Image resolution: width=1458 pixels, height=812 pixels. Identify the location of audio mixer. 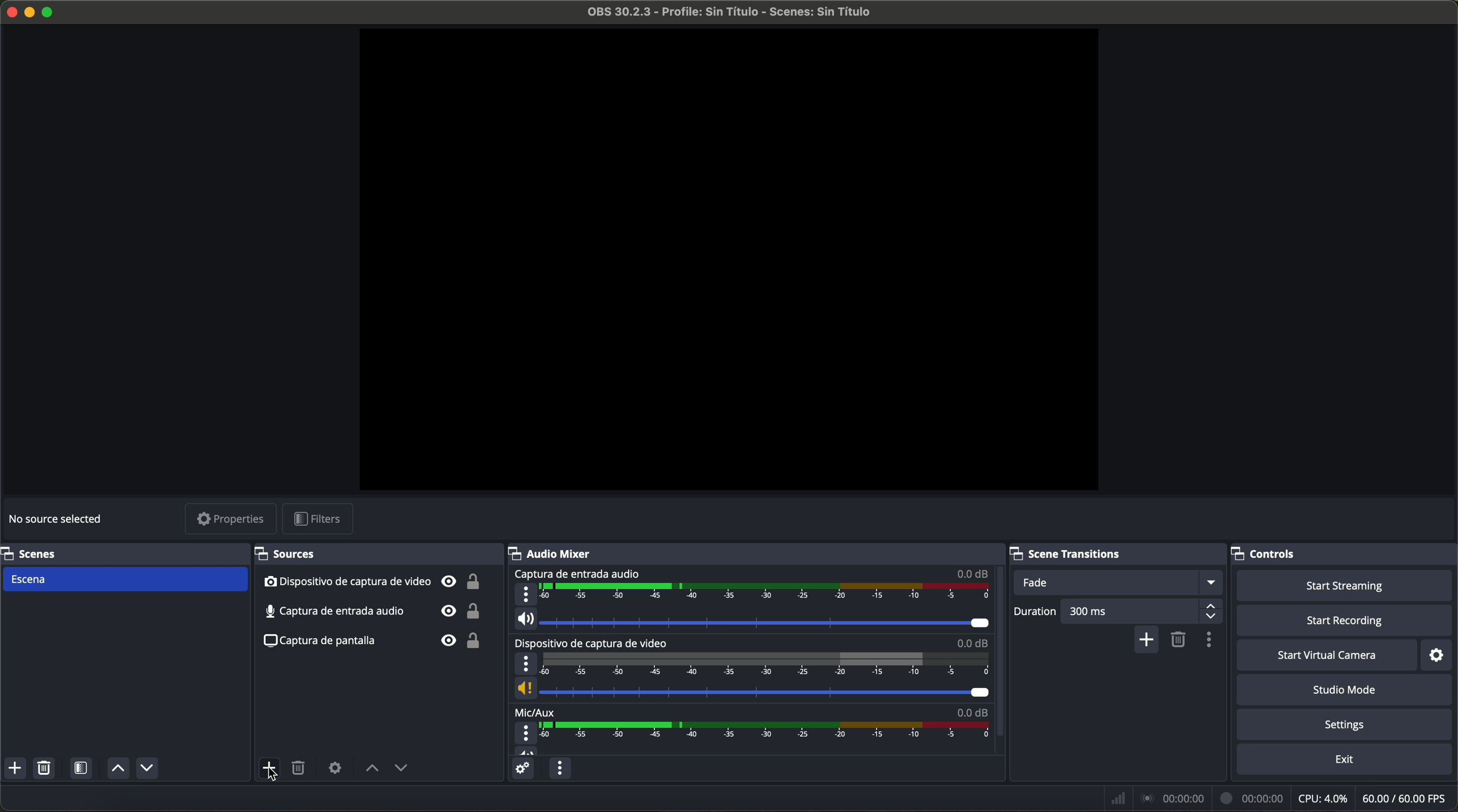
(556, 553).